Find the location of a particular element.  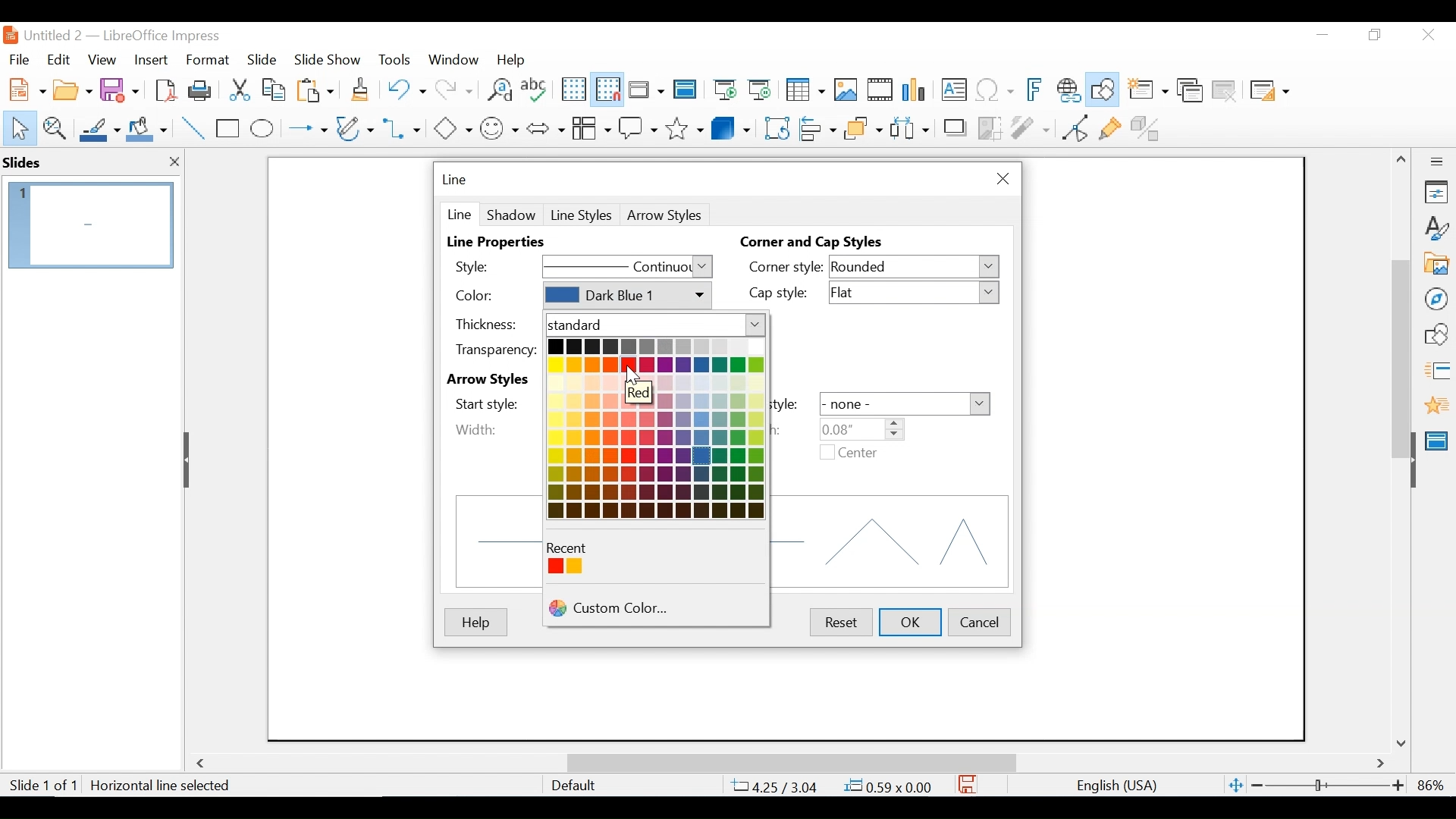

View is located at coordinates (102, 59).